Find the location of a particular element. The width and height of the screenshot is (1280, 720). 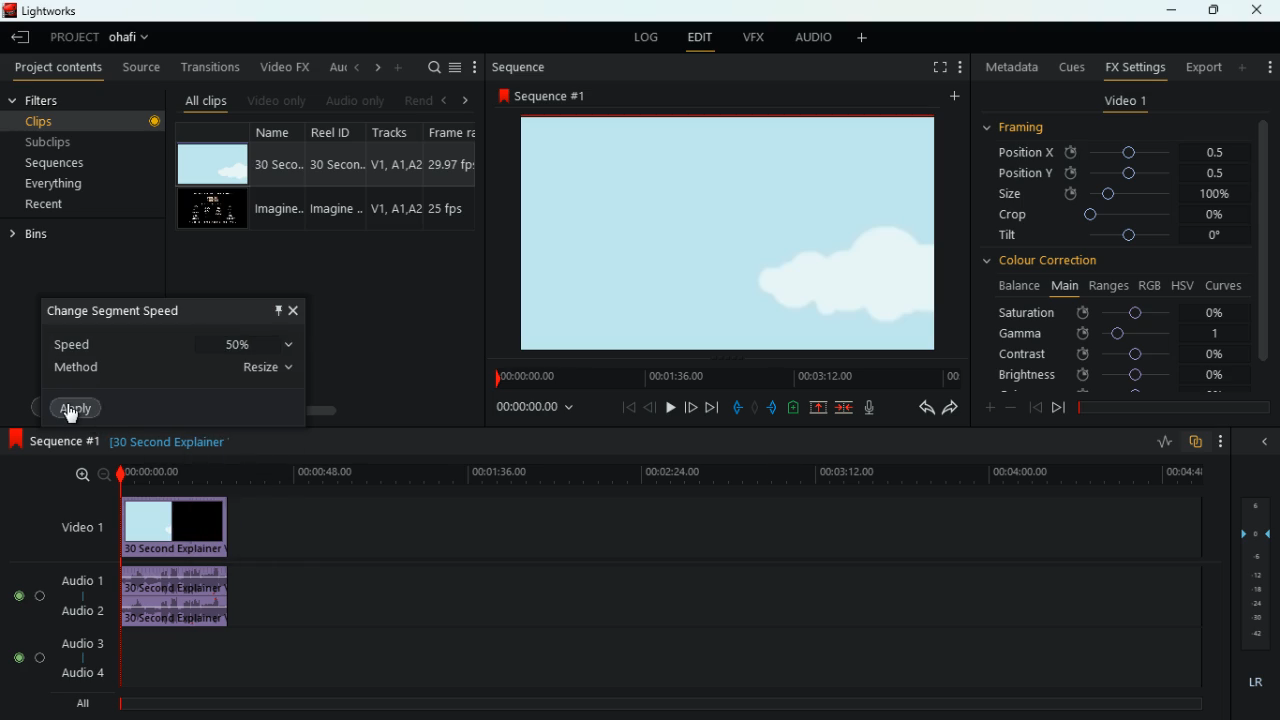

audio 1 is located at coordinates (84, 580).